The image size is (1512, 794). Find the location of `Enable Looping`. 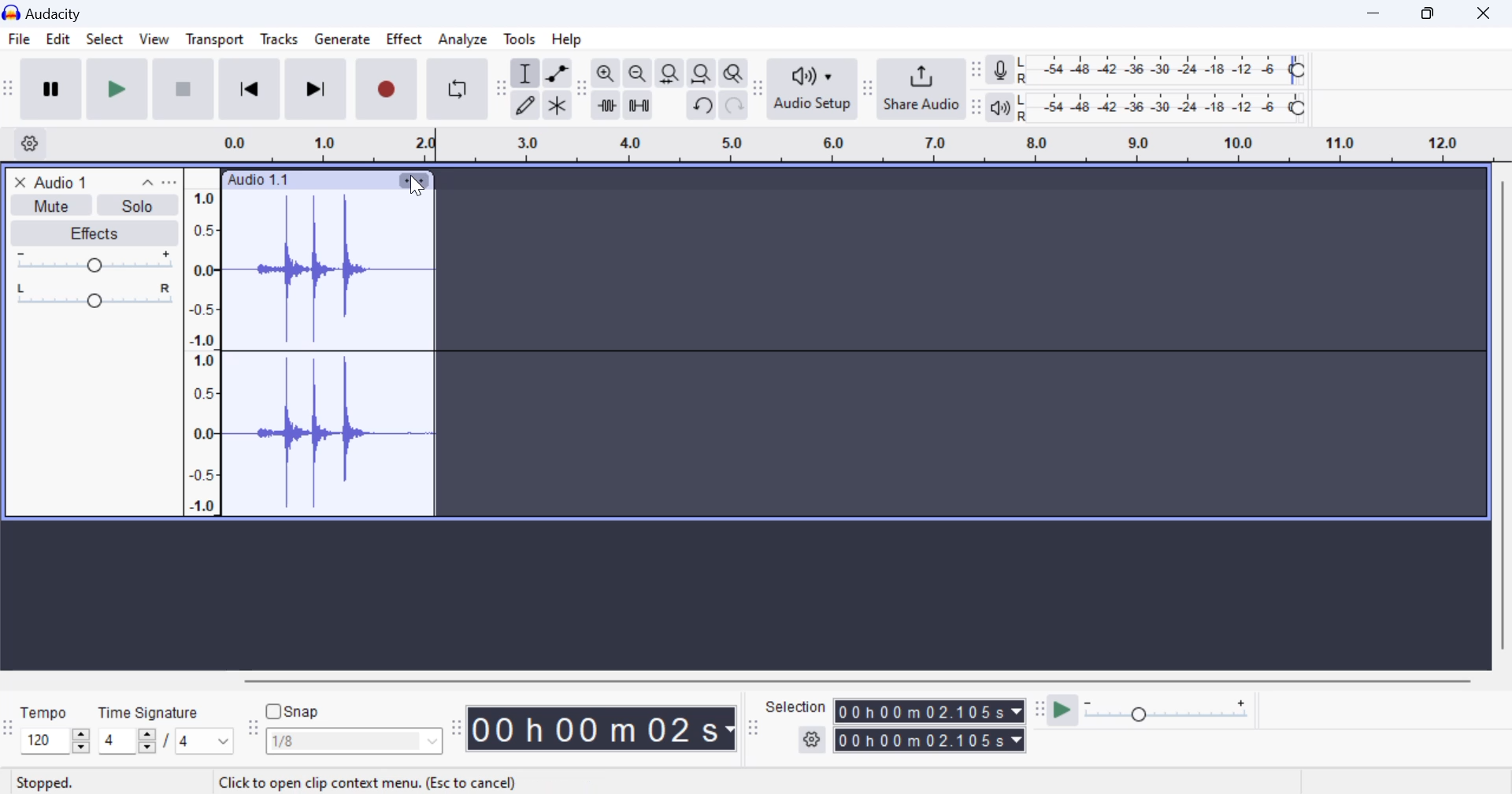

Enable Looping is located at coordinates (458, 89).